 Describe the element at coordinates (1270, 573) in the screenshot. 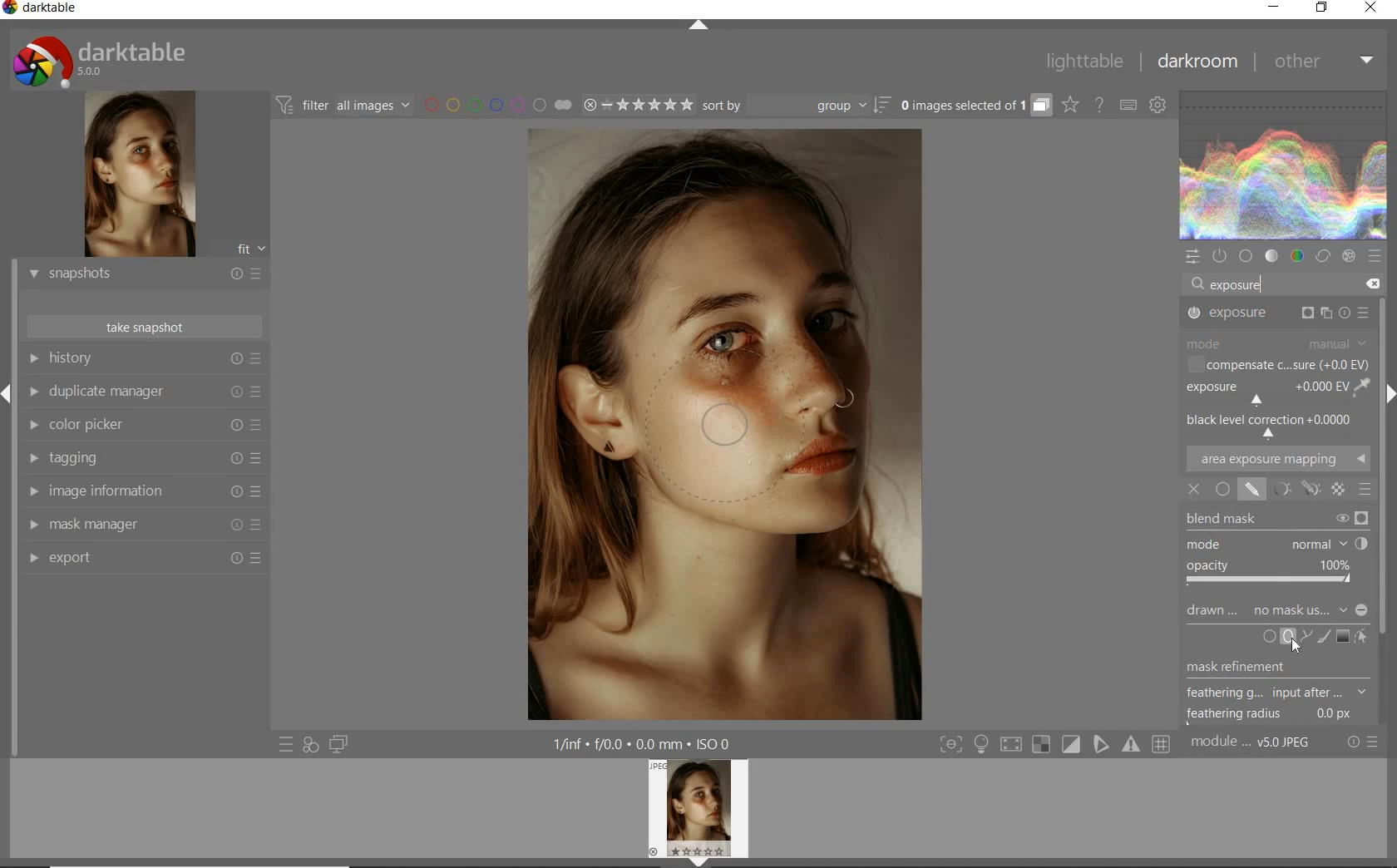

I see `OPACITY` at that location.